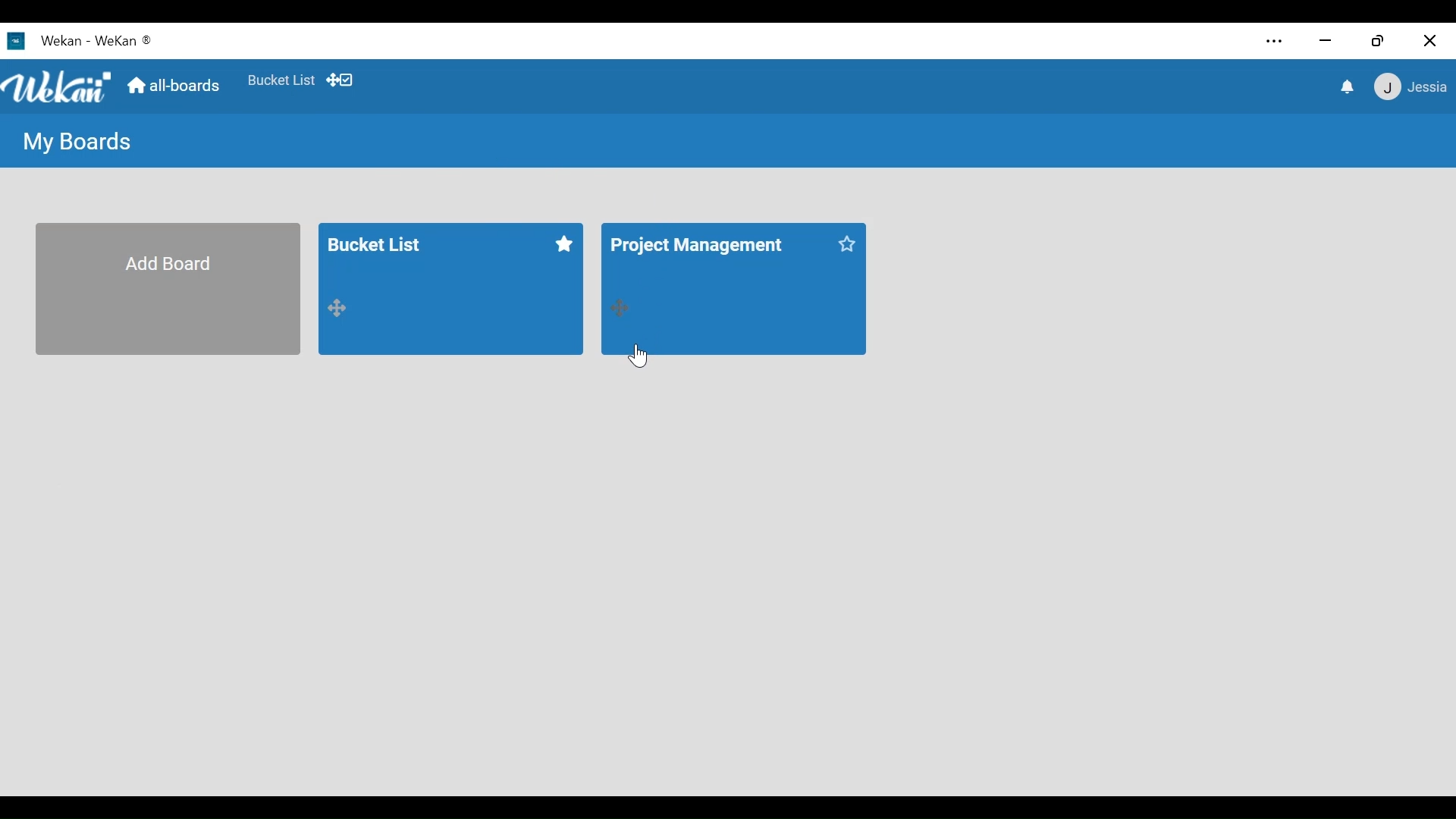 Image resolution: width=1456 pixels, height=819 pixels. Describe the element at coordinates (337, 312) in the screenshot. I see `actions` at that location.